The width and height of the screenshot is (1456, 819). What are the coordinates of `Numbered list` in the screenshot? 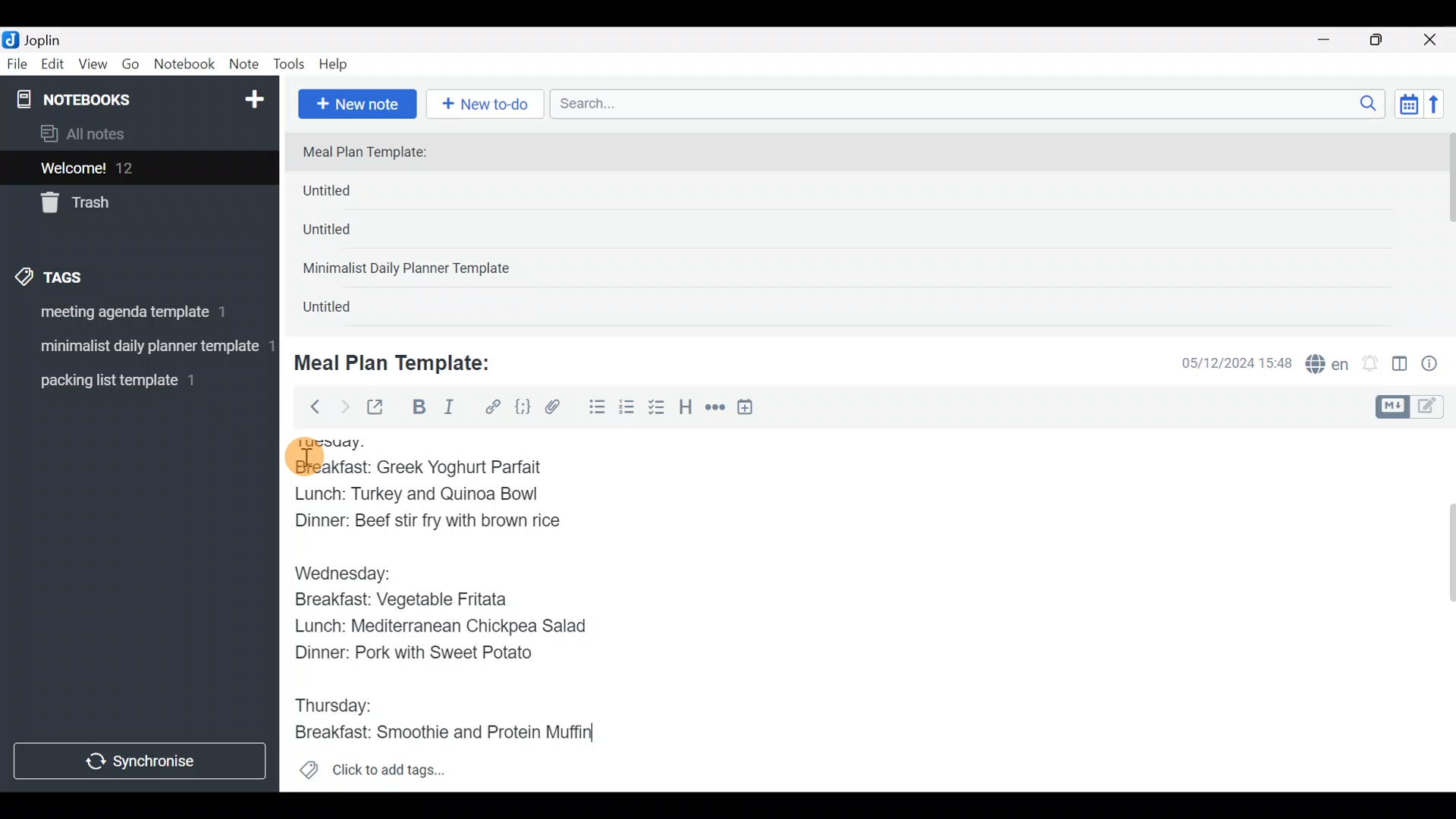 It's located at (627, 410).